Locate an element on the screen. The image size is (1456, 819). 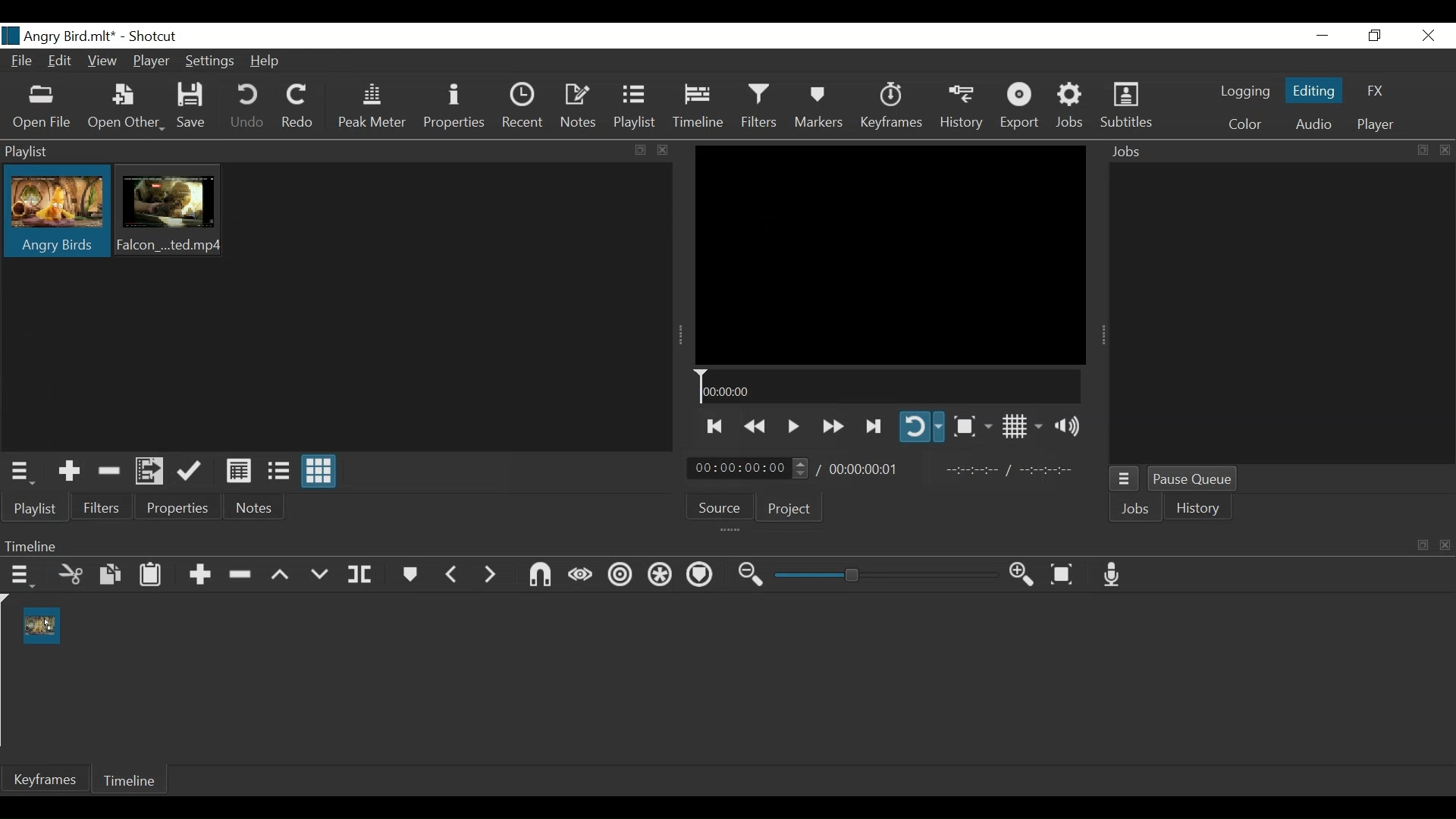
Split at playhead is located at coordinates (366, 575).